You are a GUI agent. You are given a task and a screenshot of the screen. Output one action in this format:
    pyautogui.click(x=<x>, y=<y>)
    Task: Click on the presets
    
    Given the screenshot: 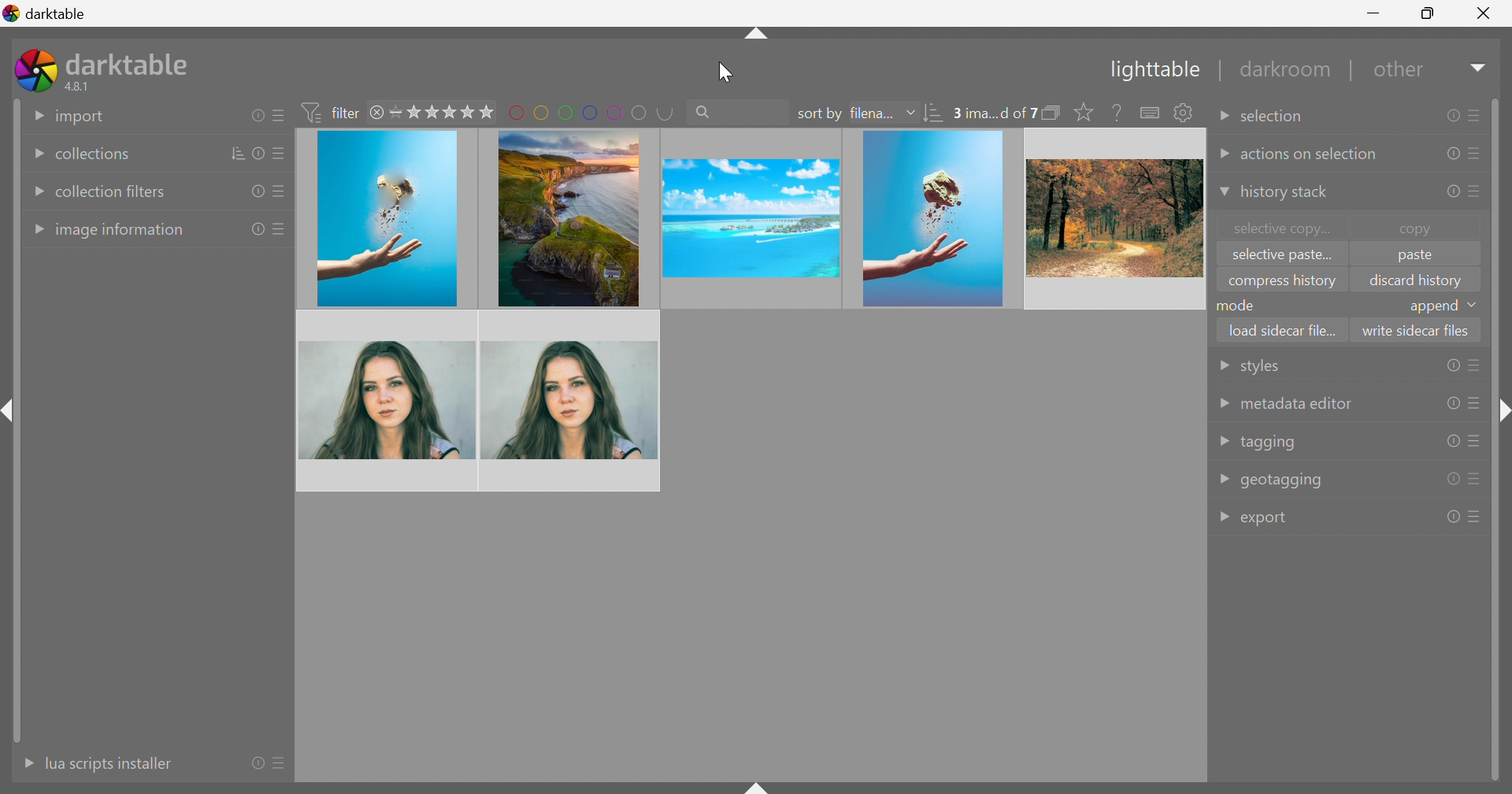 What is the action you would take?
    pyautogui.click(x=1477, y=516)
    